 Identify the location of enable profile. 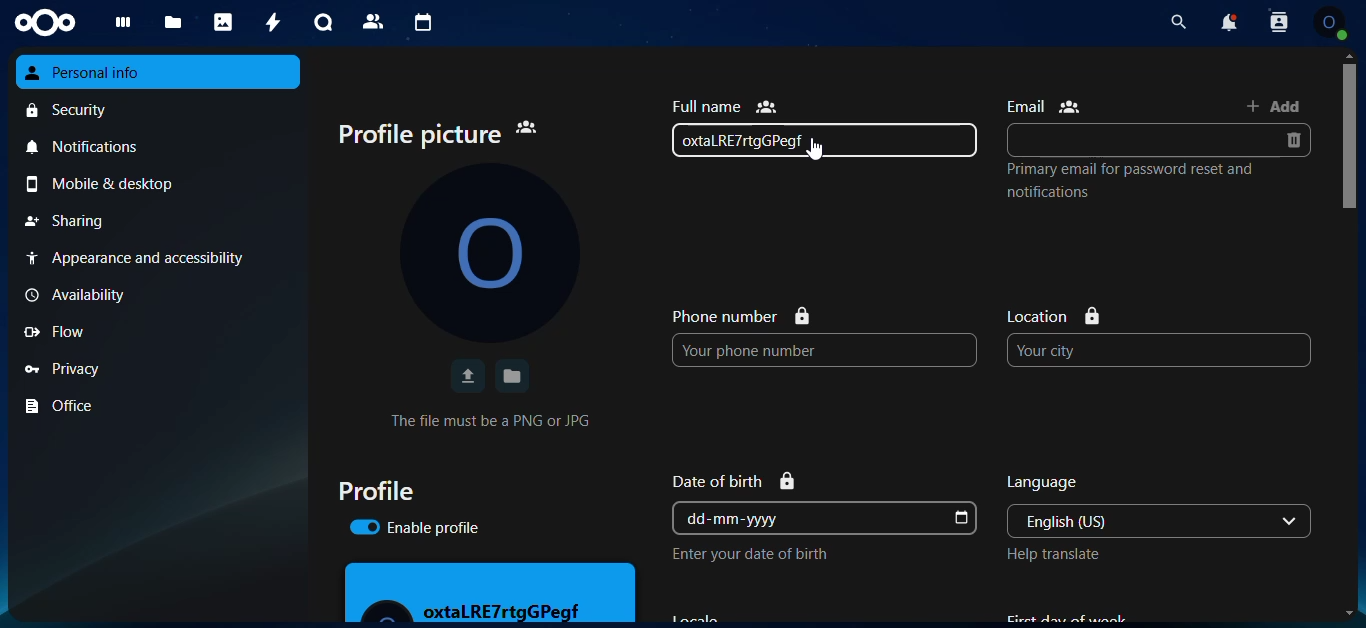
(414, 527).